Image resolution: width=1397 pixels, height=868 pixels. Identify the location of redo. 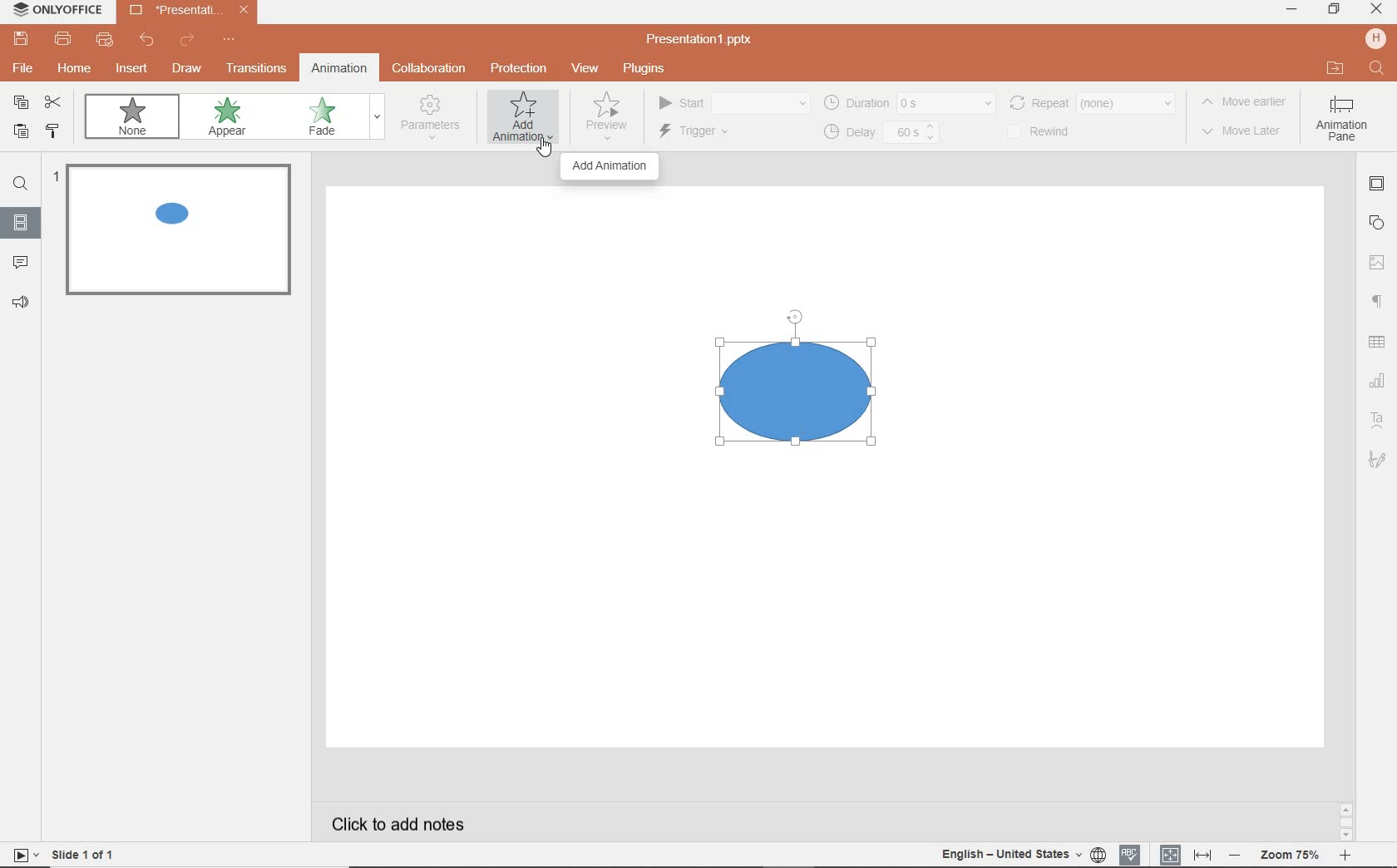
(186, 41).